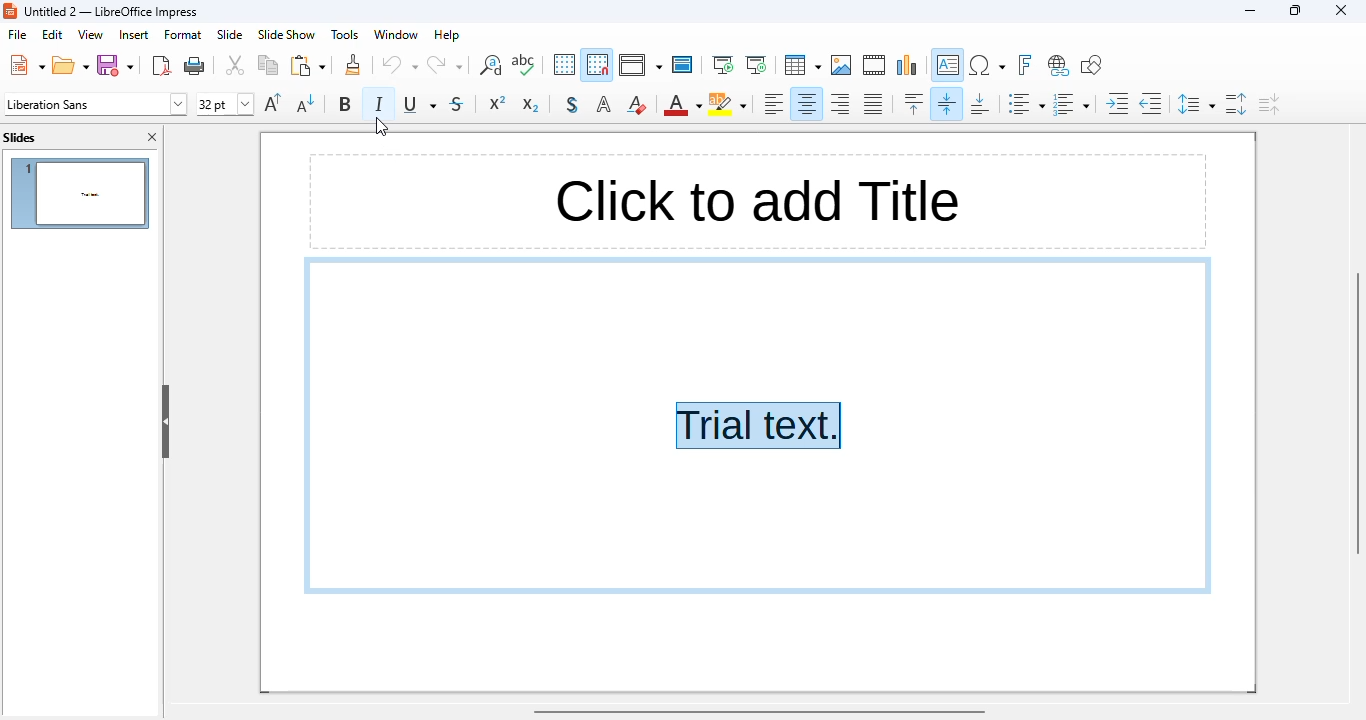  What do you see at coordinates (1297, 10) in the screenshot?
I see `maximize` at bounding box center [1297, 10].